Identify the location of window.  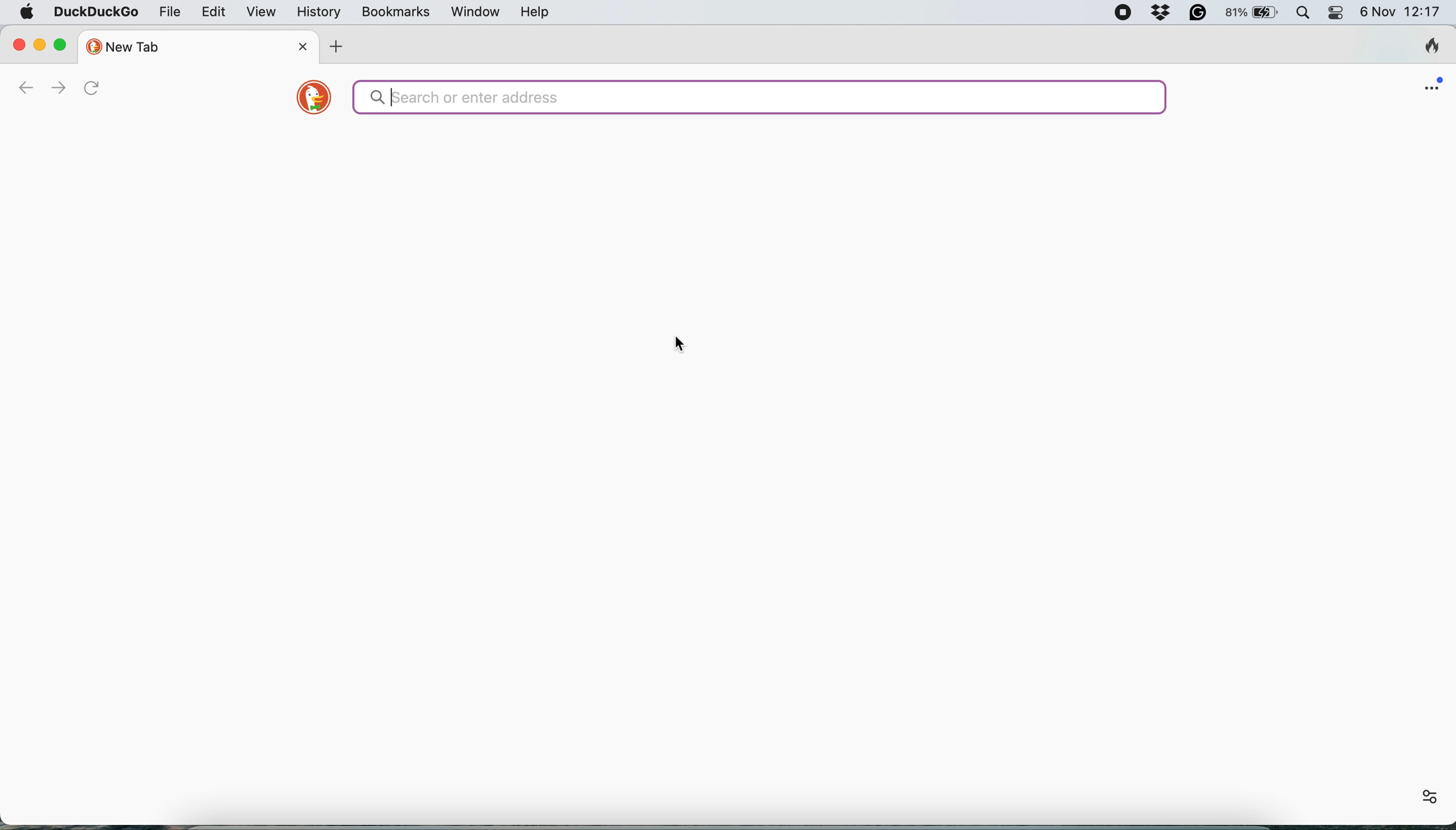
(475, 11).